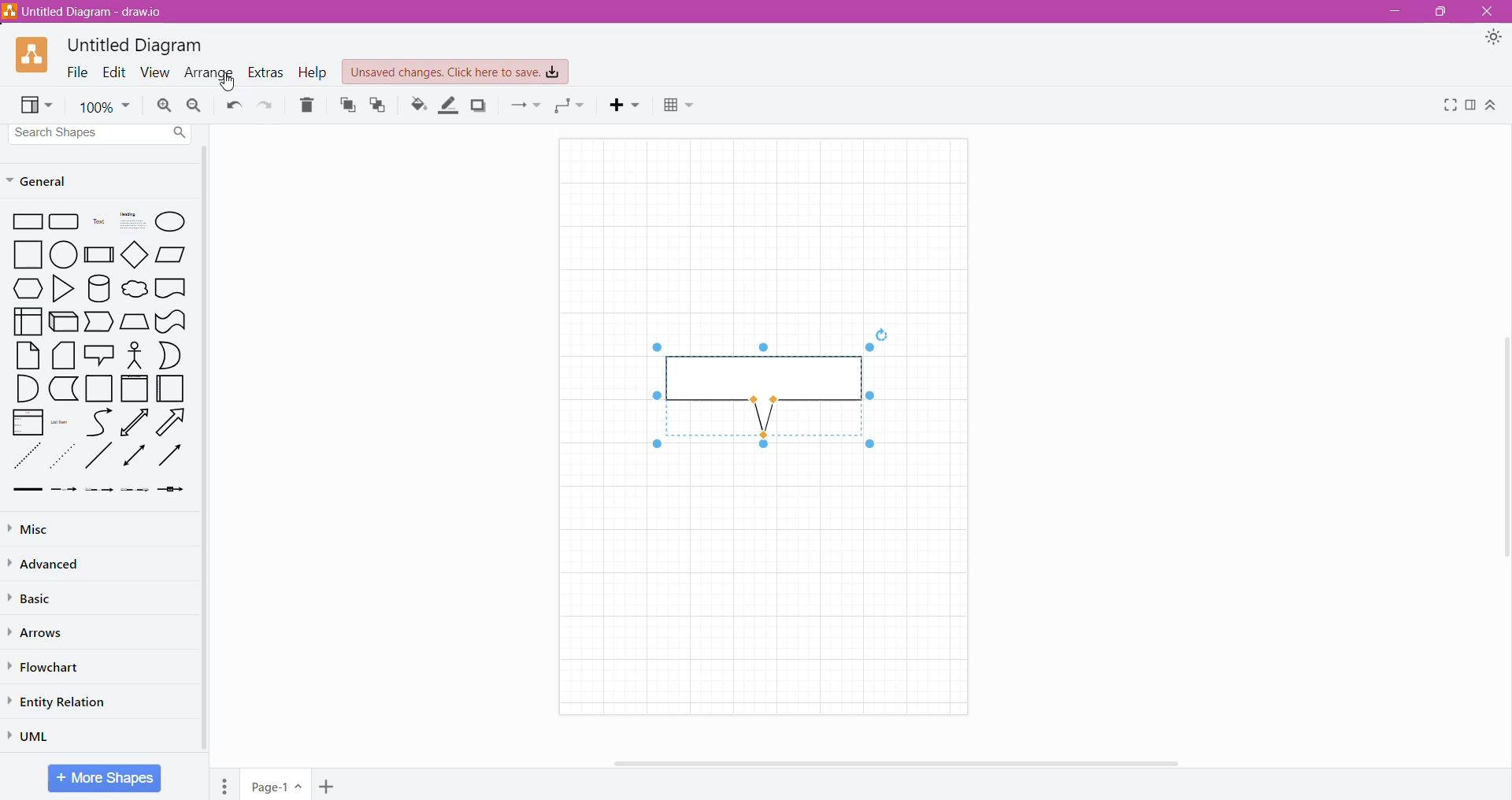 Image resolution: width=1512 pixels, height=800 pixels. Describe the element at coordinates (100, 457) in the screenshot. I see `diagonal line` at that location.